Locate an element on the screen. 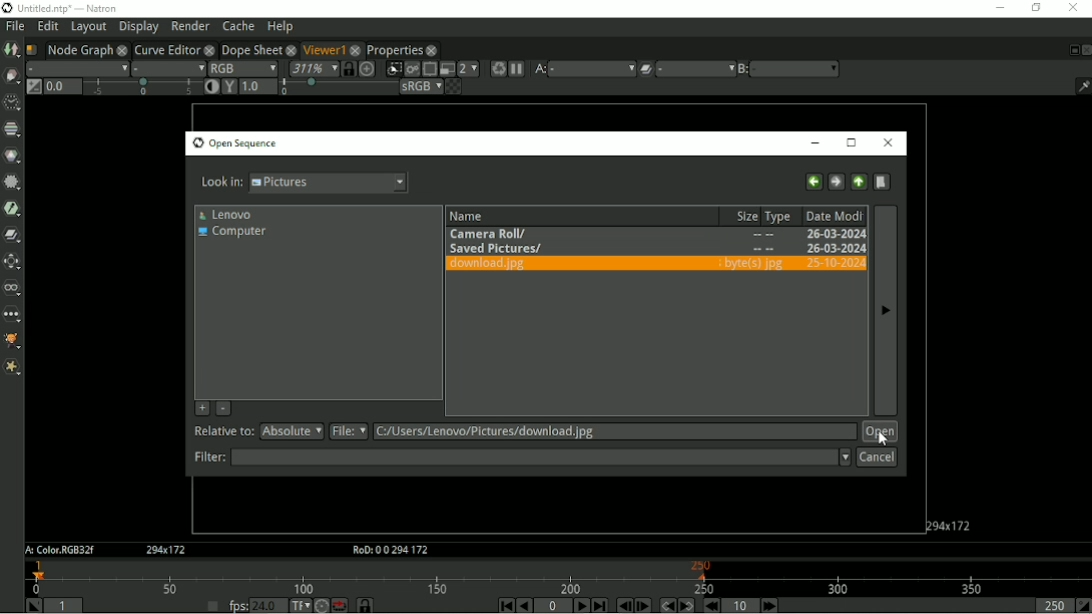 The width and height of the screenshot is (1092, 614). File is located at coordinates (15, 25).